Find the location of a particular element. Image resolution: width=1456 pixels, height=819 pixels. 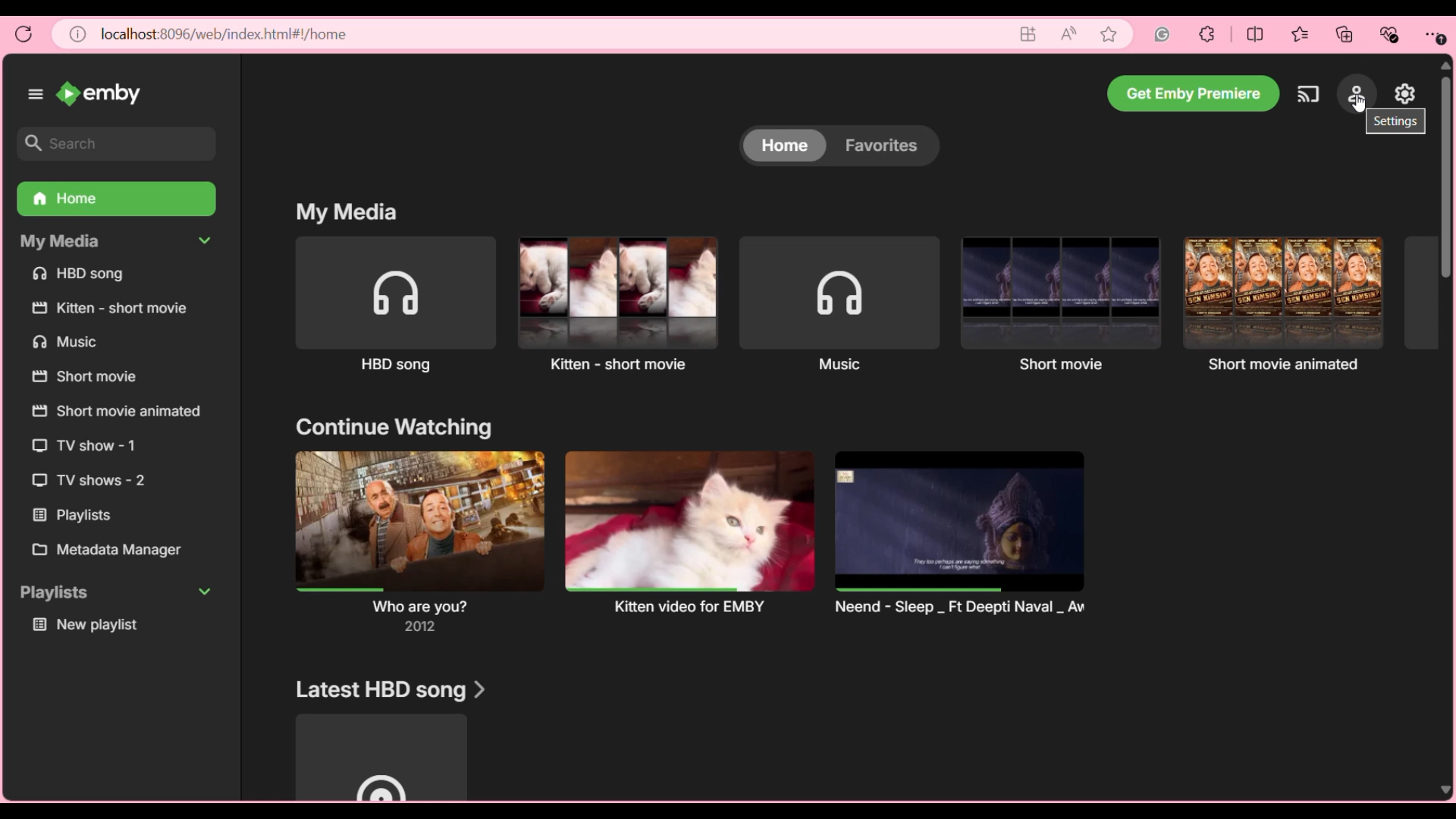

my media is located at coordinates (340, 211).